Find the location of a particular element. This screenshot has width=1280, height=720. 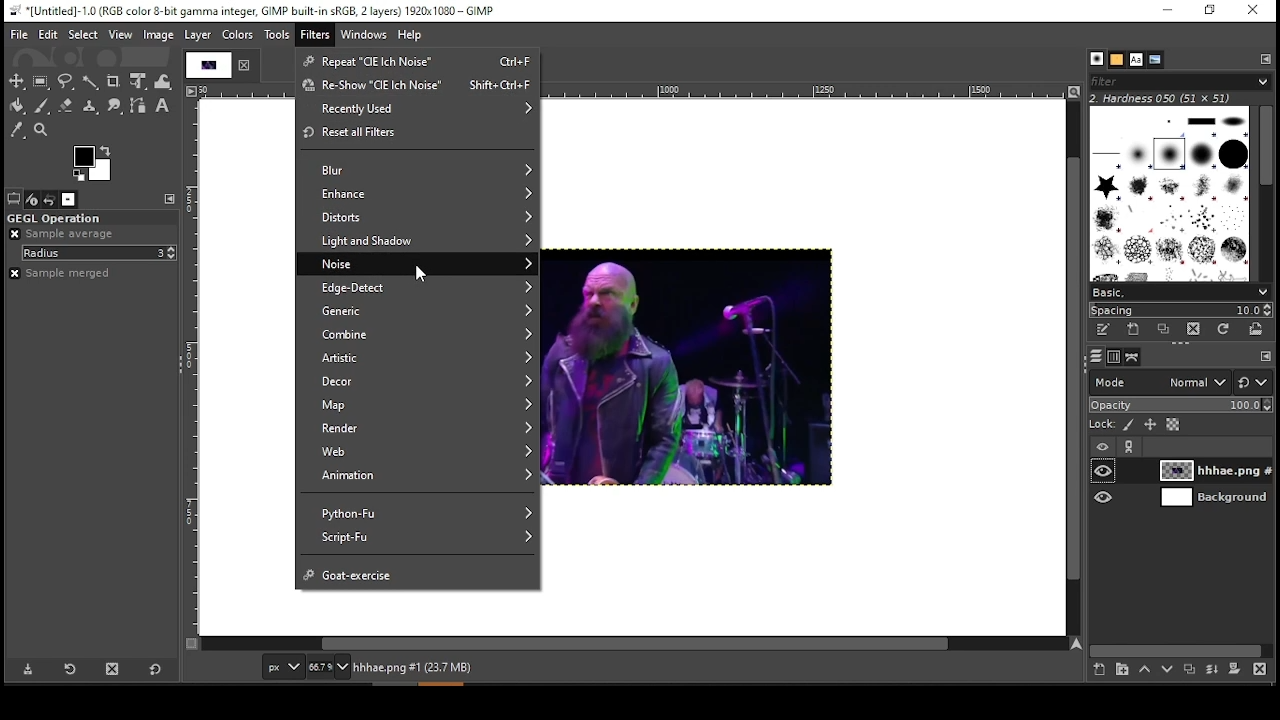

combine is located at coordinates (419, 336).